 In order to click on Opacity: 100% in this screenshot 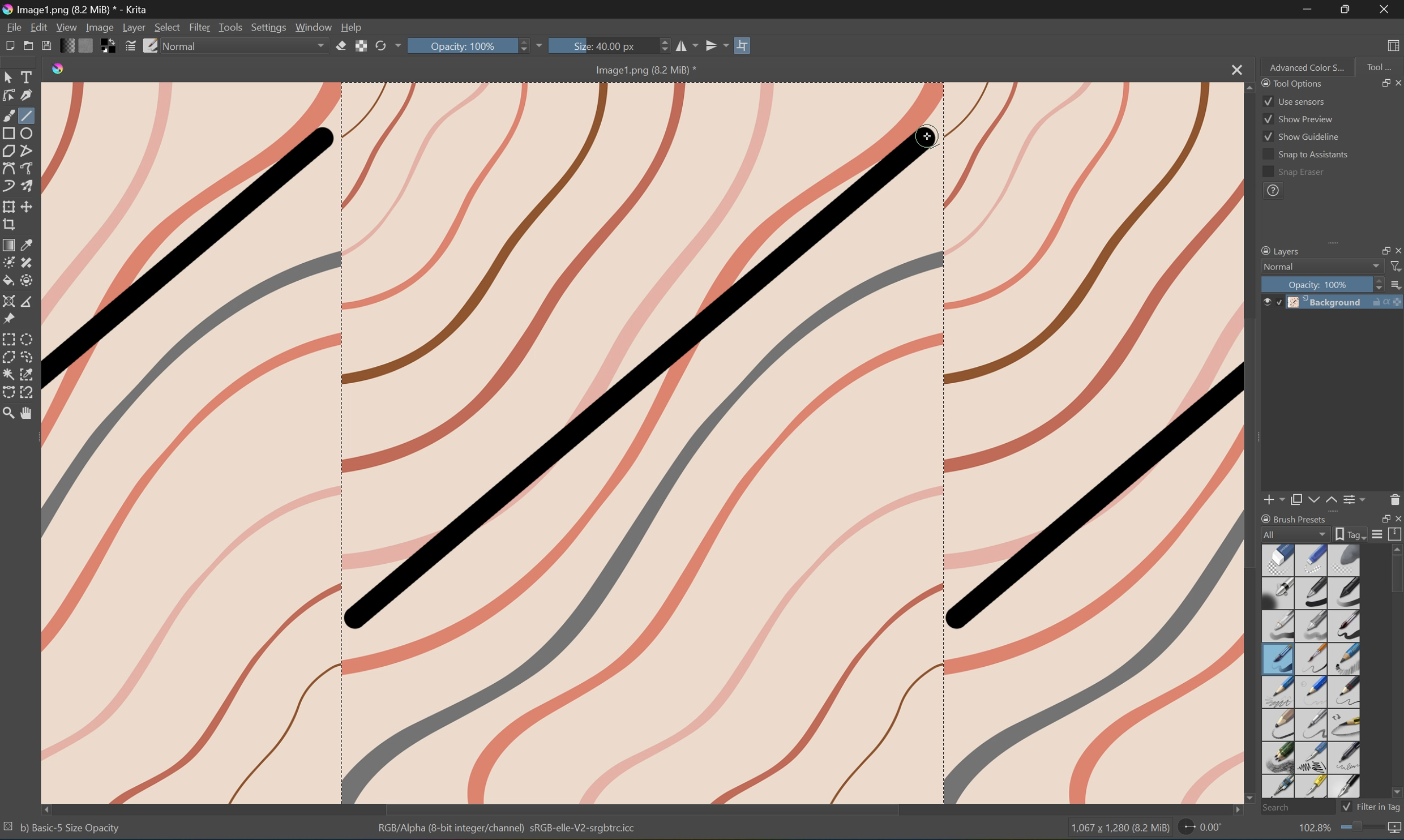, I will do `click(469, 46)`.